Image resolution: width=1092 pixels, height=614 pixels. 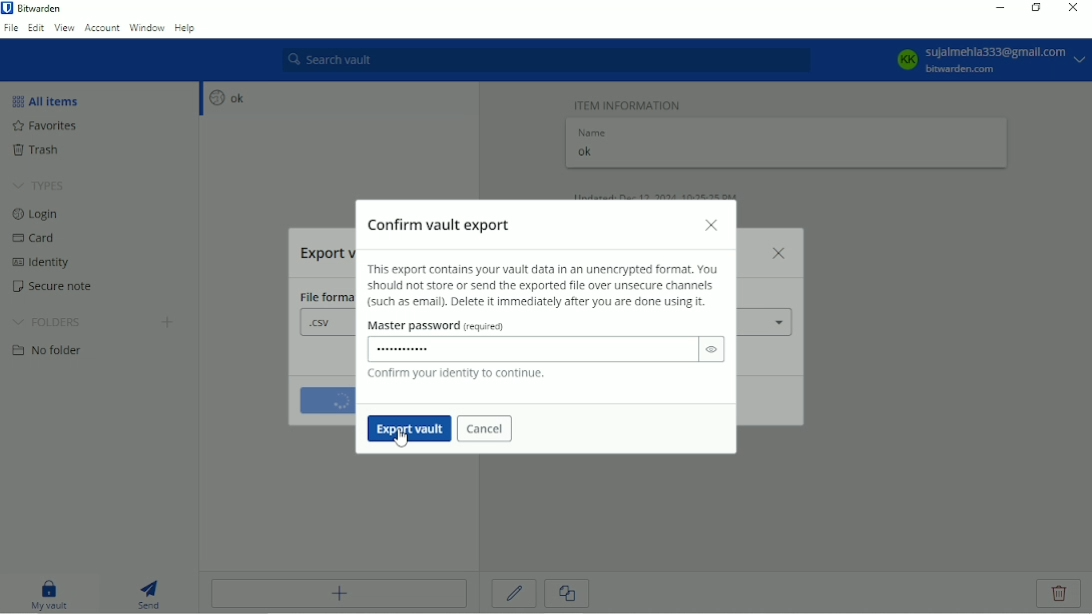 What do you see at coordinates (47, 264) in the screenshot?
I see `Identity` at bounding box center [47, 264].